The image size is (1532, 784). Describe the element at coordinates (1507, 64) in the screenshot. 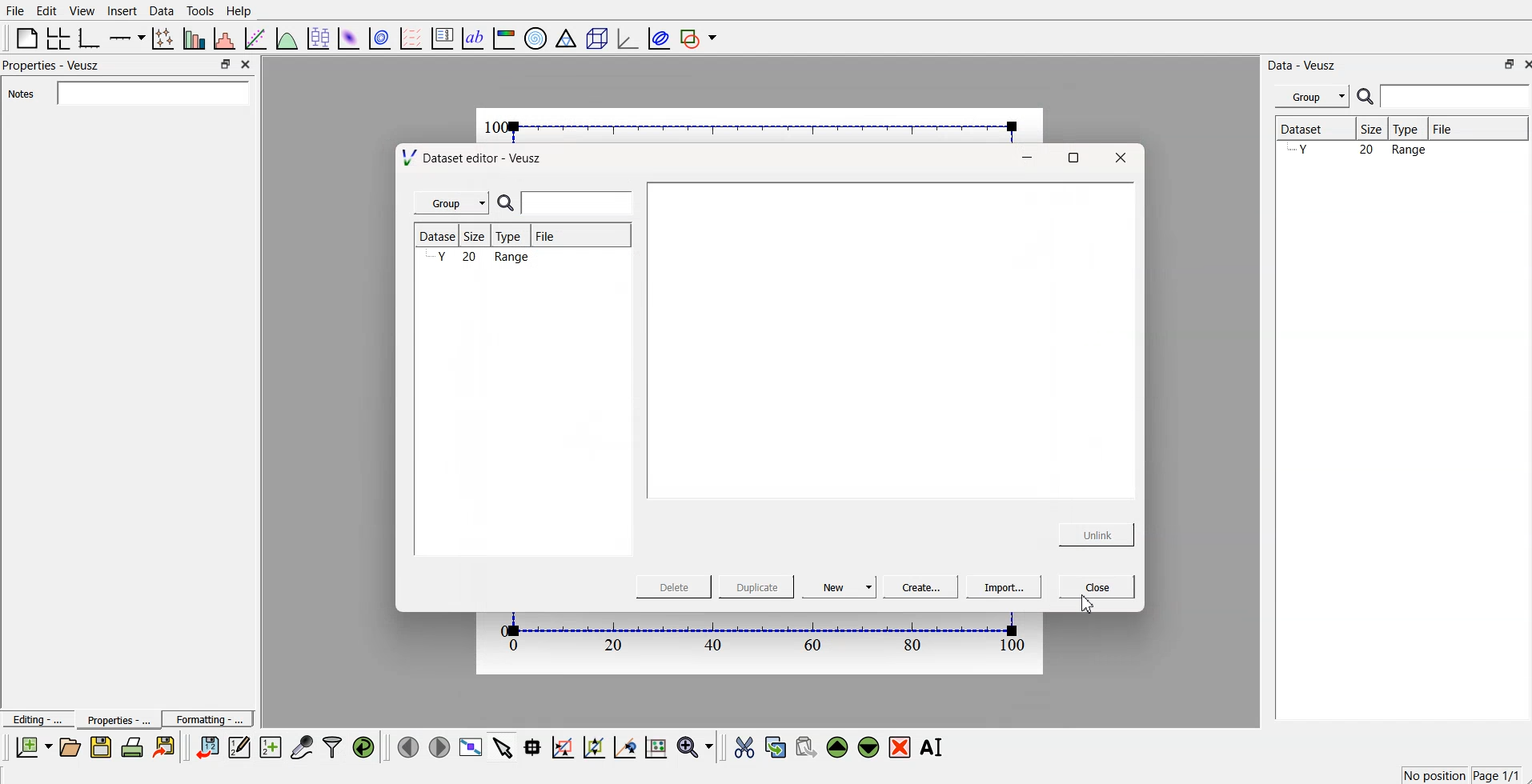

I see `Min/Max` at that location.